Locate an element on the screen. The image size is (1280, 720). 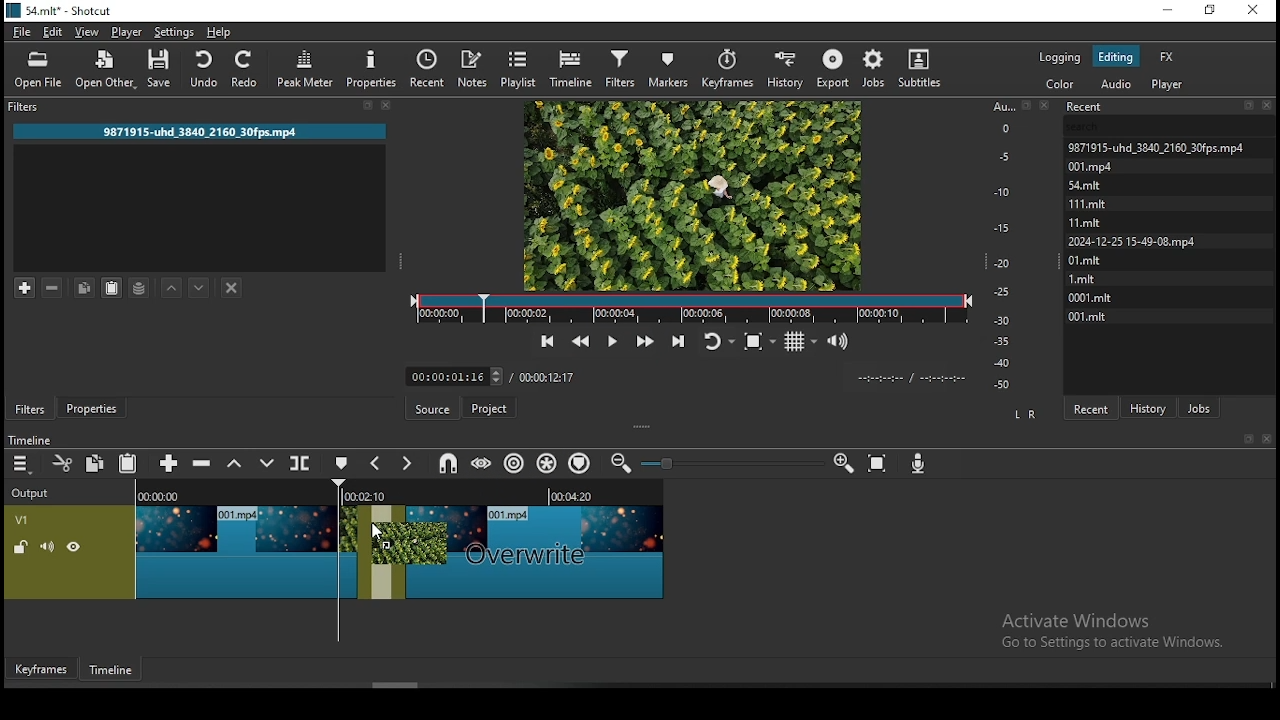
record audio is located at coordinates (918, 462).